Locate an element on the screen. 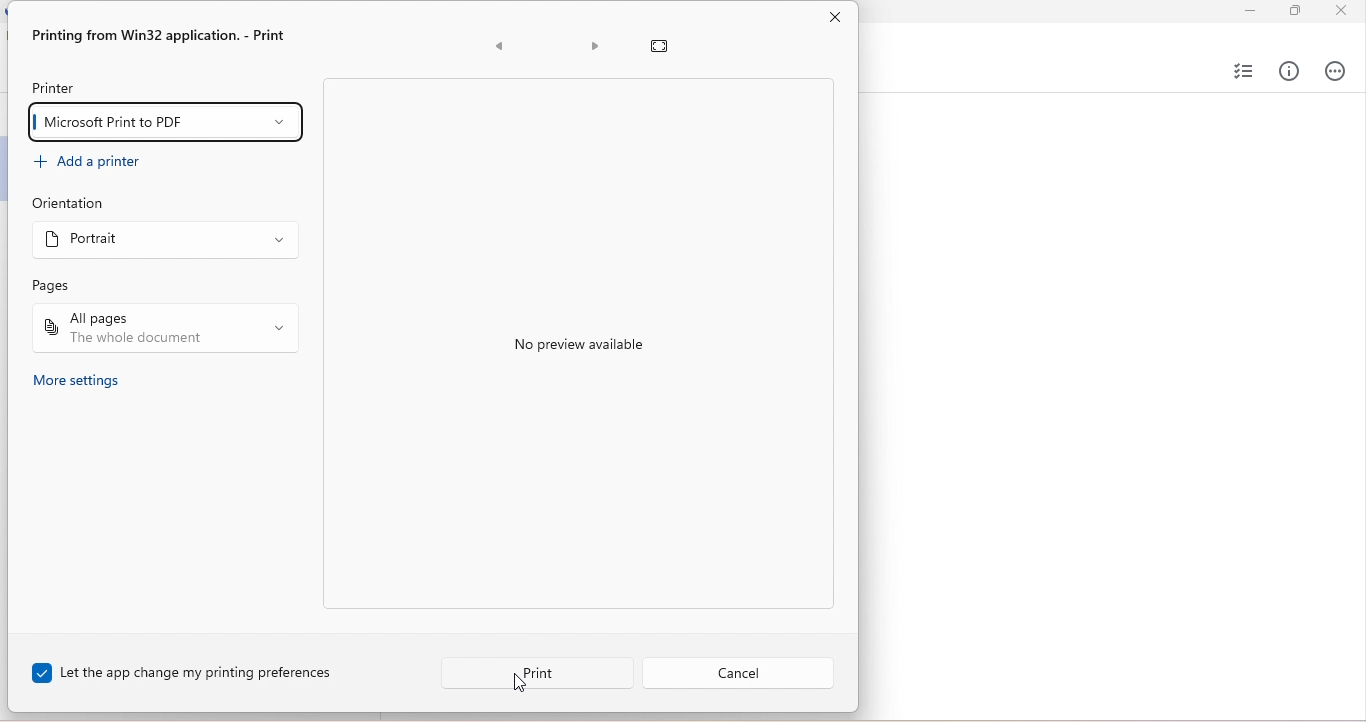  print is located at coordinates (532, 669).